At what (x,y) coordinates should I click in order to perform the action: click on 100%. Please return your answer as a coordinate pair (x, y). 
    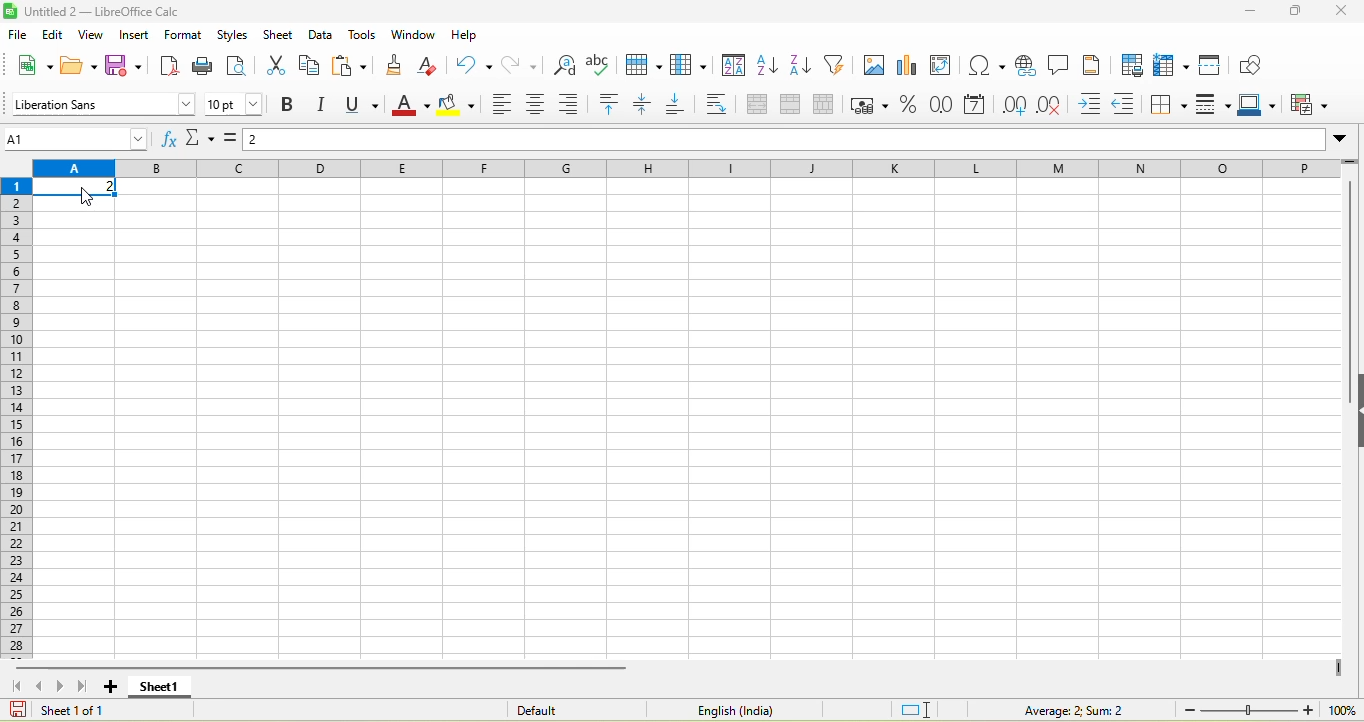
    Looking at the image, I should click on (1339, 709).